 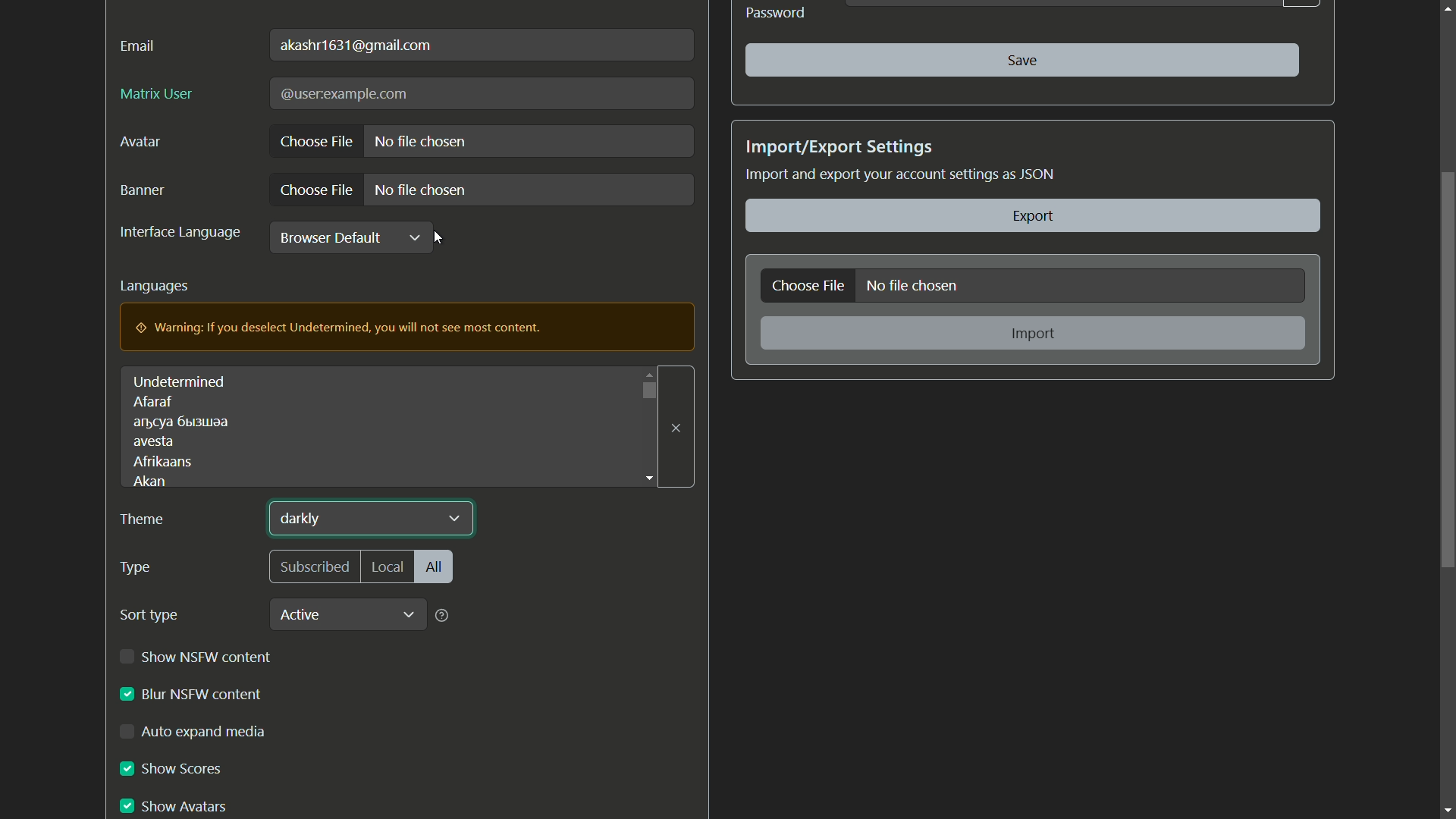 I want to click on close, so click(x=677, y=428).